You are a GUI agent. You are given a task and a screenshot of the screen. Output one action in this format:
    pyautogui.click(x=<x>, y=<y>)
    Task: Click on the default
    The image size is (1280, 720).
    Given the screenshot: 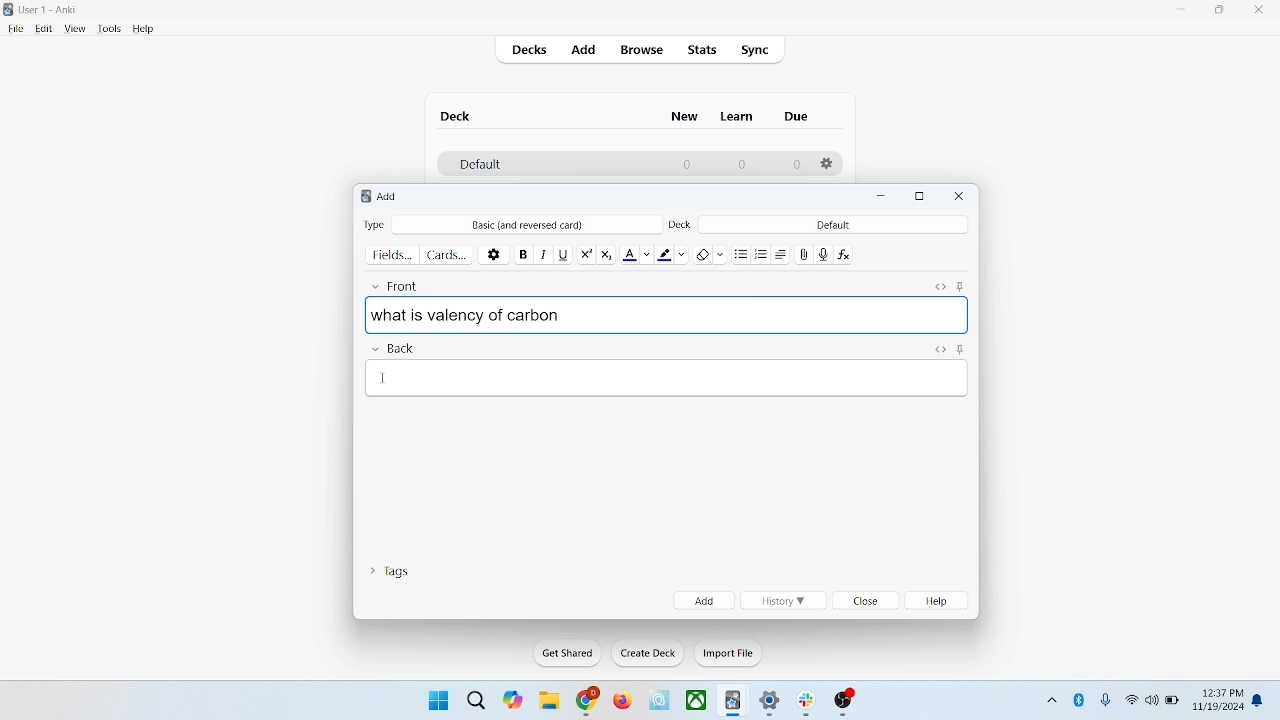 What is the action you would take?
    pyautogui.click(x=833, y=224)
    